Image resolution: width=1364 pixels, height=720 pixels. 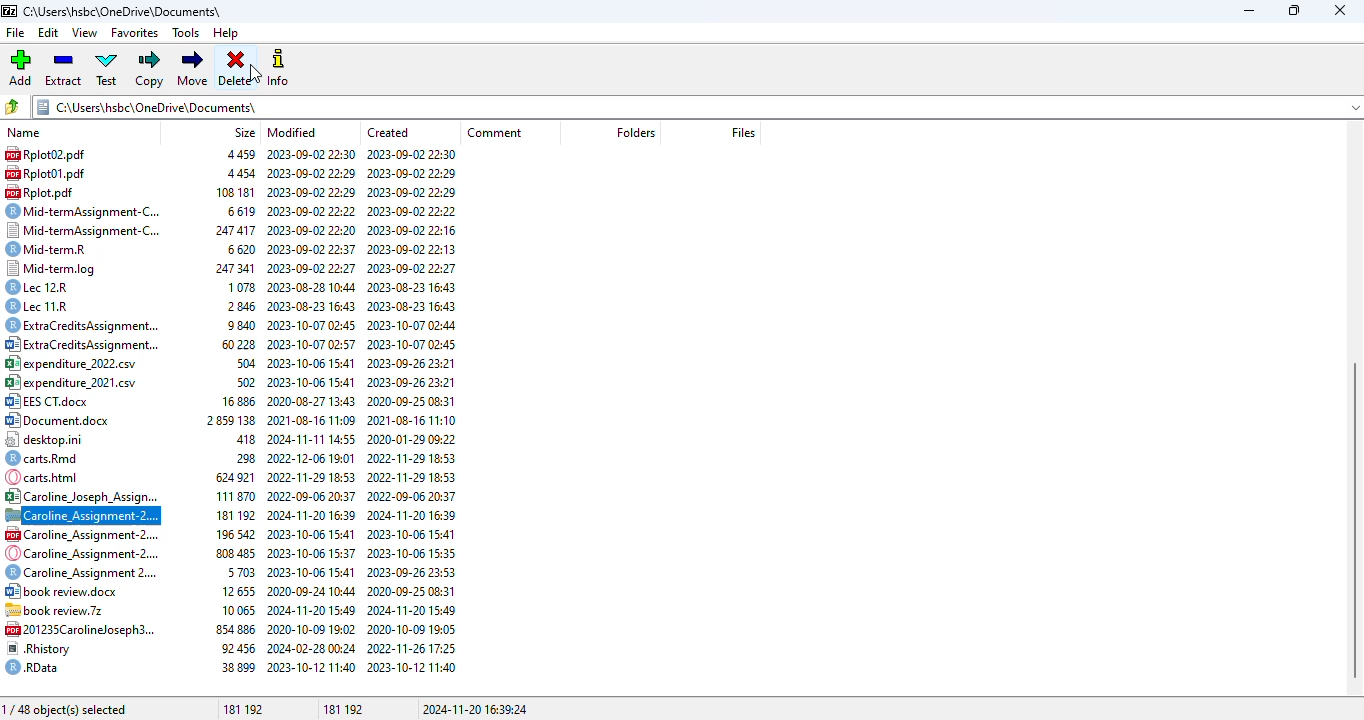 I want to click on 2024-02-28 00:24, so click(x=312, y=647).